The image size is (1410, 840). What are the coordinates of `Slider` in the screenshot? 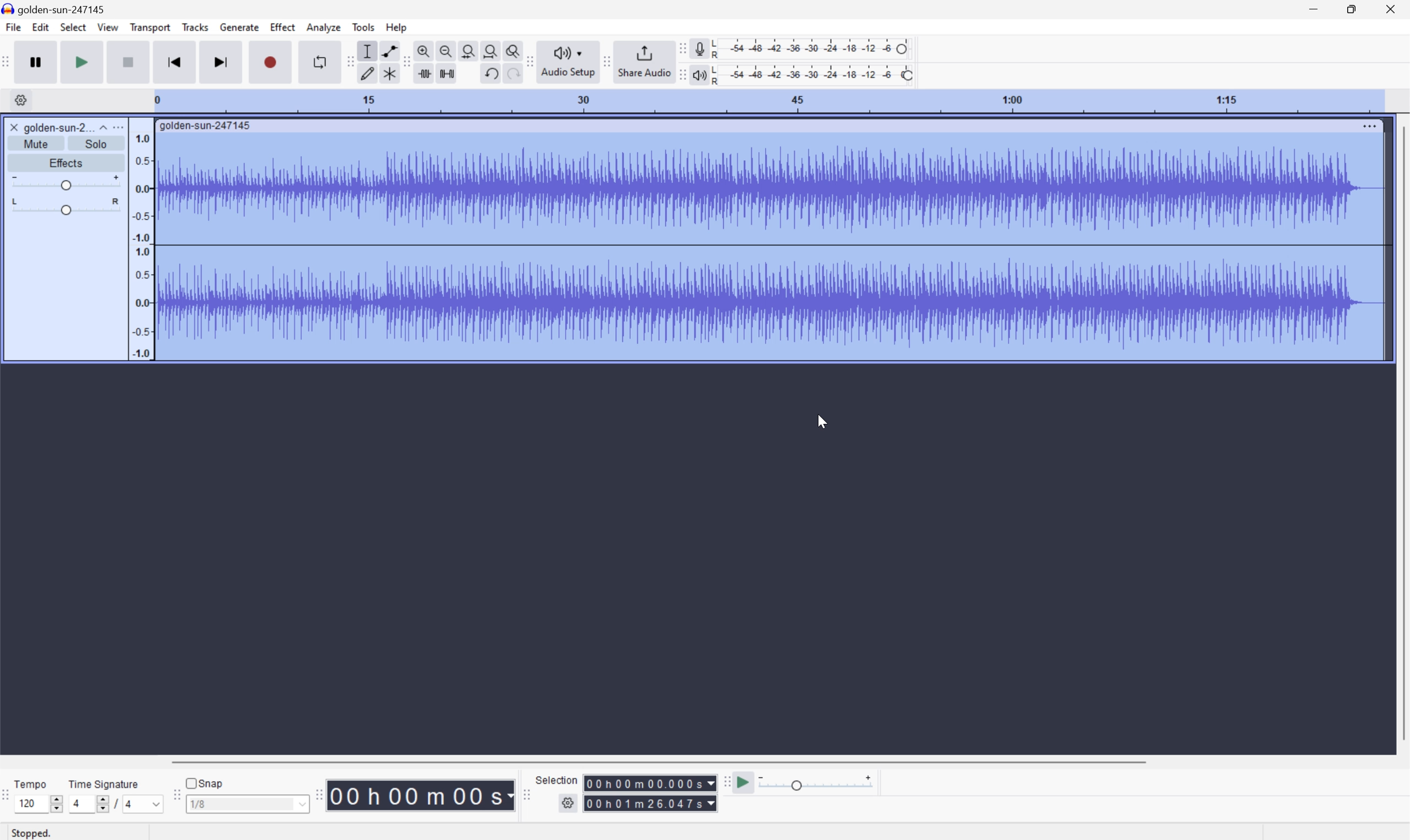 It's located at (62, 207).